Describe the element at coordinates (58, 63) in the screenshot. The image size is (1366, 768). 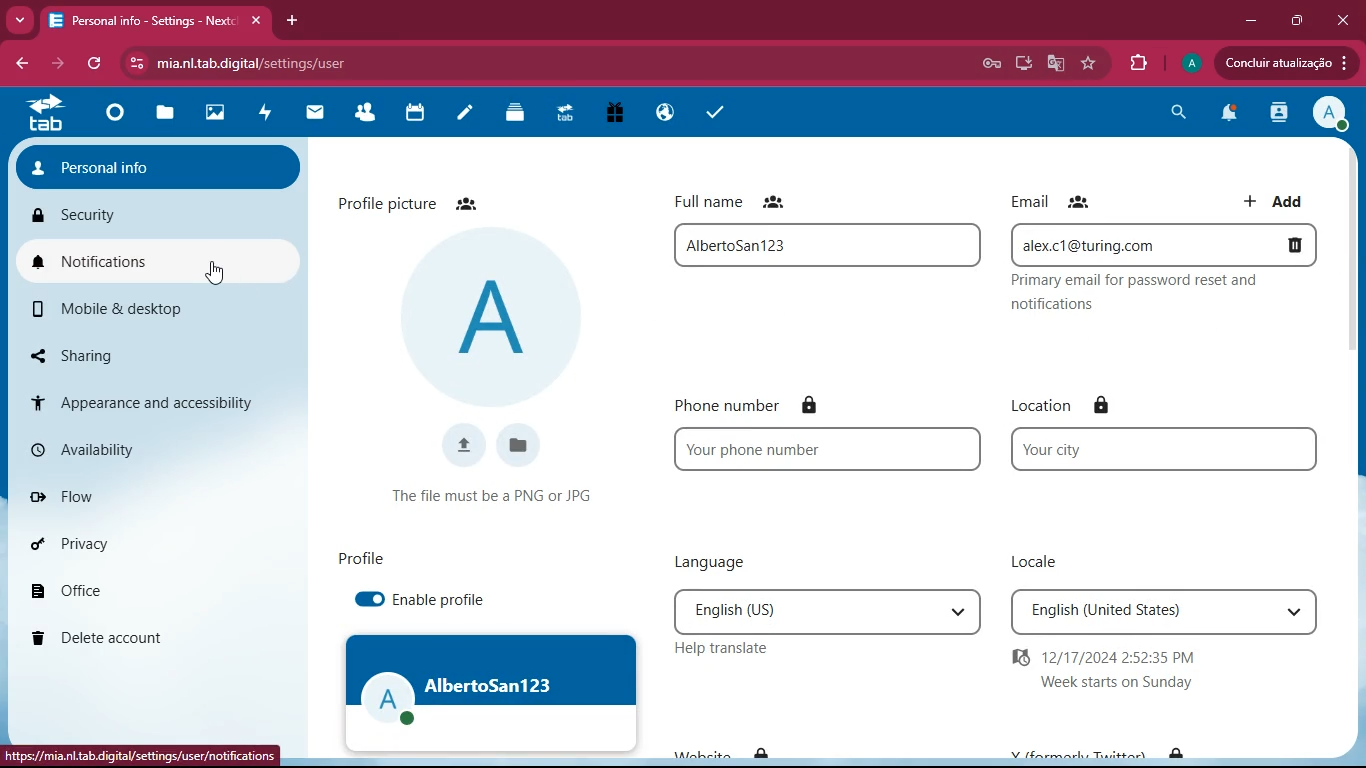
I see `forward` at that location.